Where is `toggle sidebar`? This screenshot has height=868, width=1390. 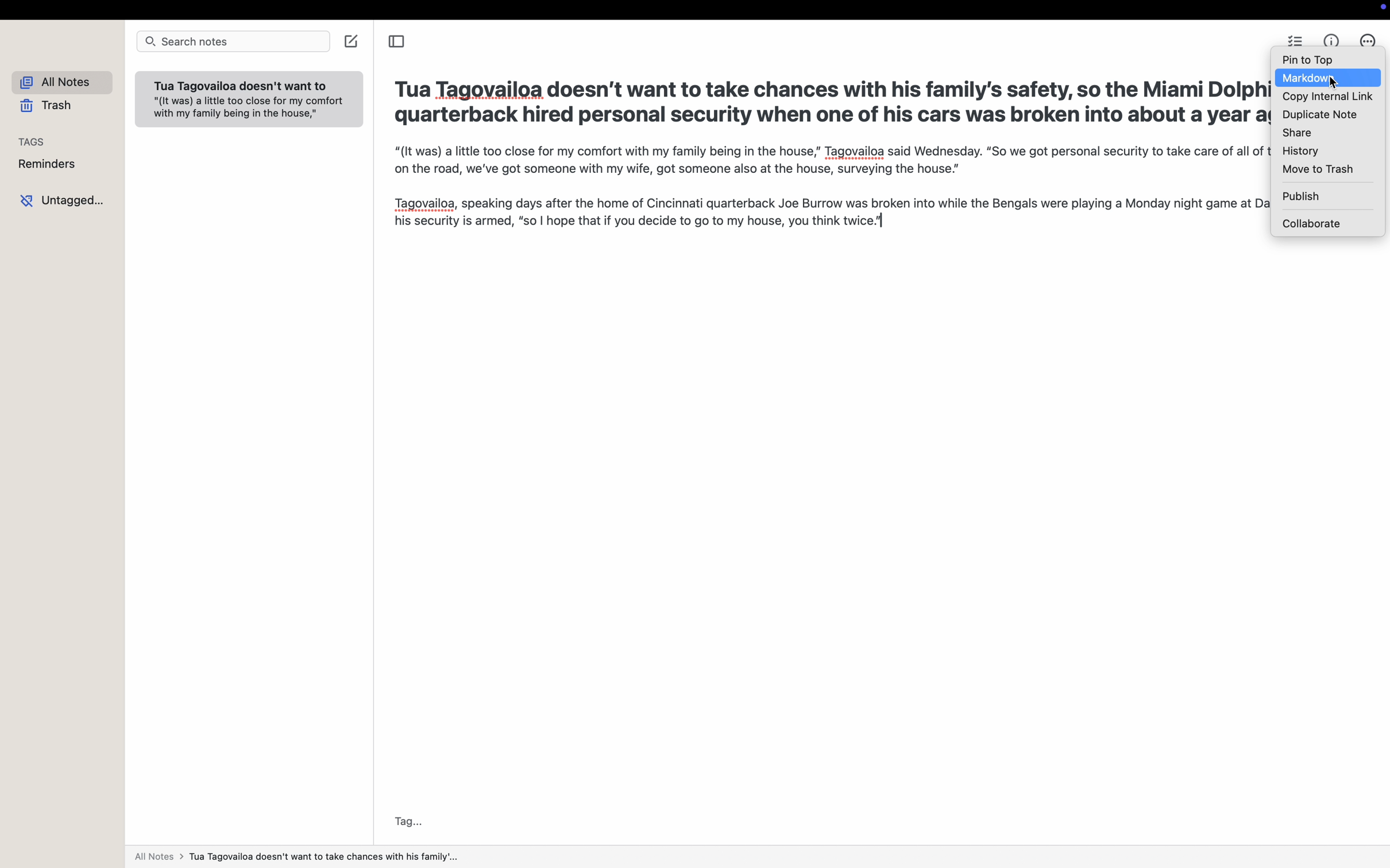 toggle sidebar is located at coordinates (398, 41).